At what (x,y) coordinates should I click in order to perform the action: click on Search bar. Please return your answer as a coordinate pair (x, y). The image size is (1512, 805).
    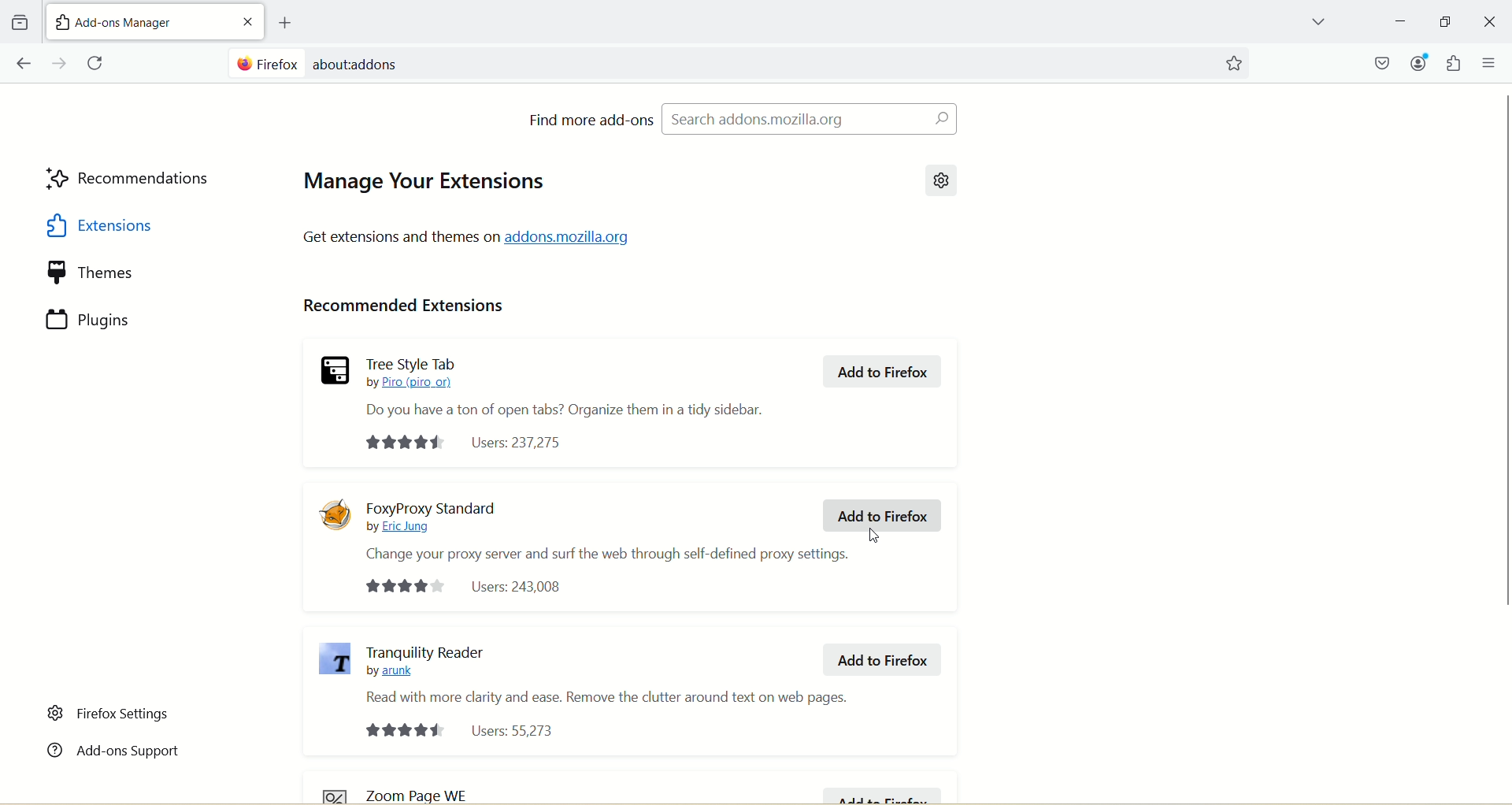
    Looking at the image, I should click on (717, 62).